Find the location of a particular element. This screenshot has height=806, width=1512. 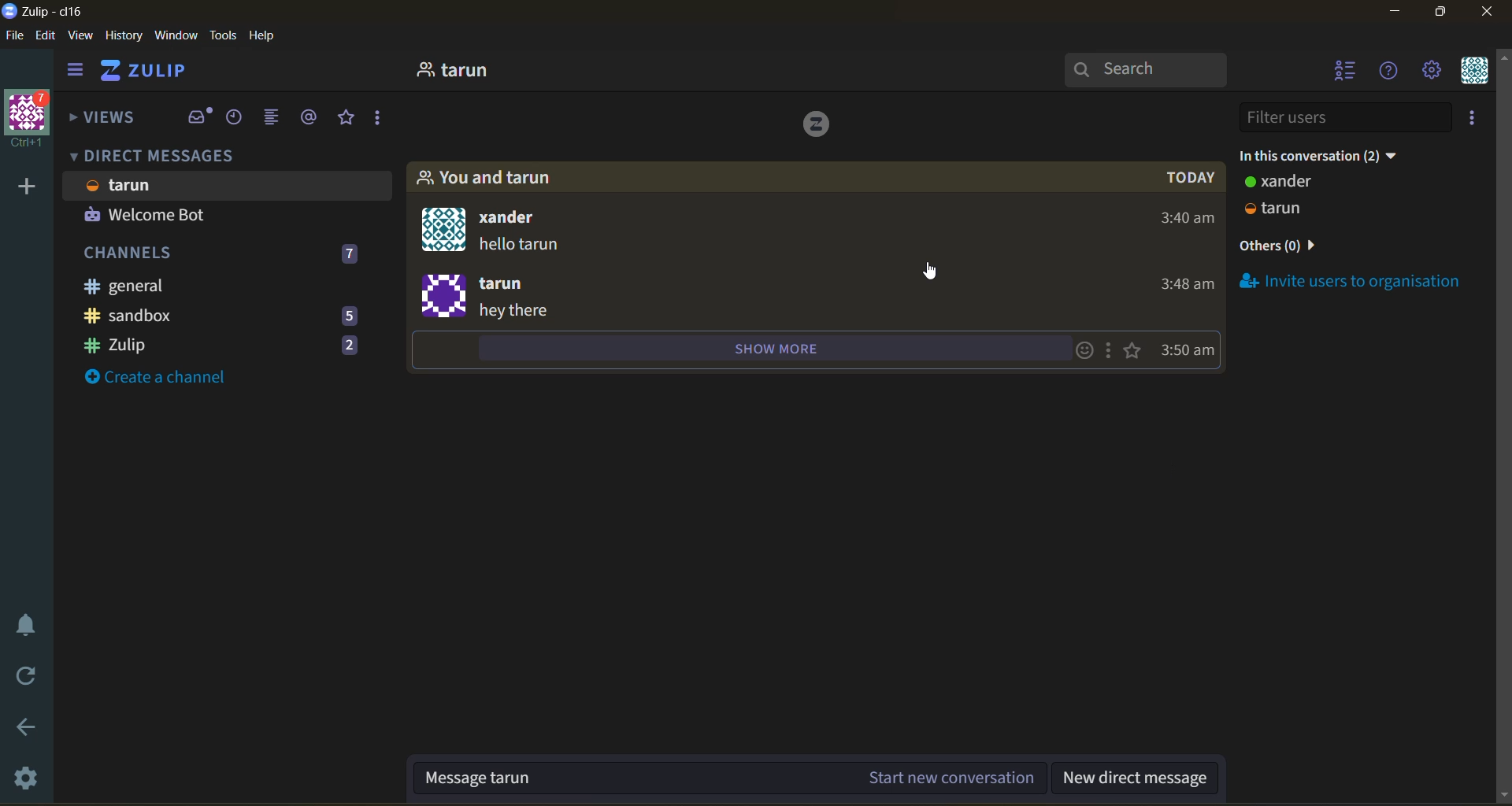

timestamp is located at coordinates (1177, 257).